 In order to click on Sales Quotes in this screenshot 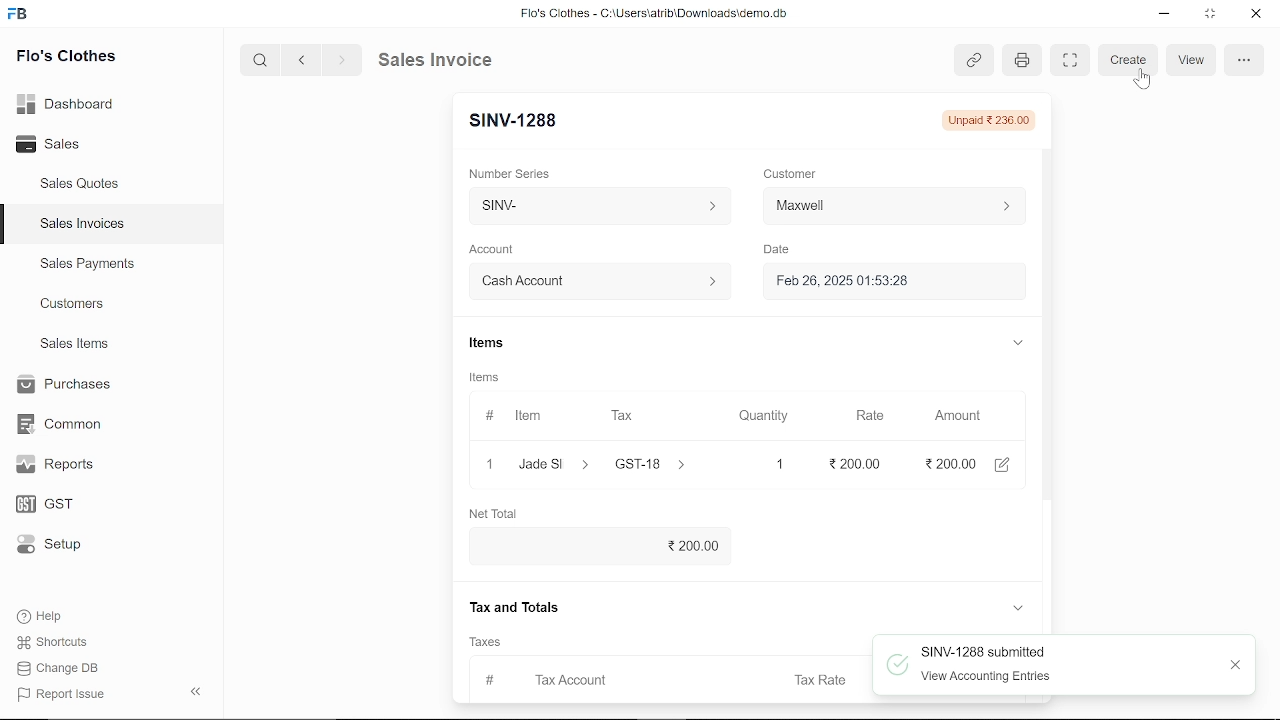, I will do `click(82, 185)`.